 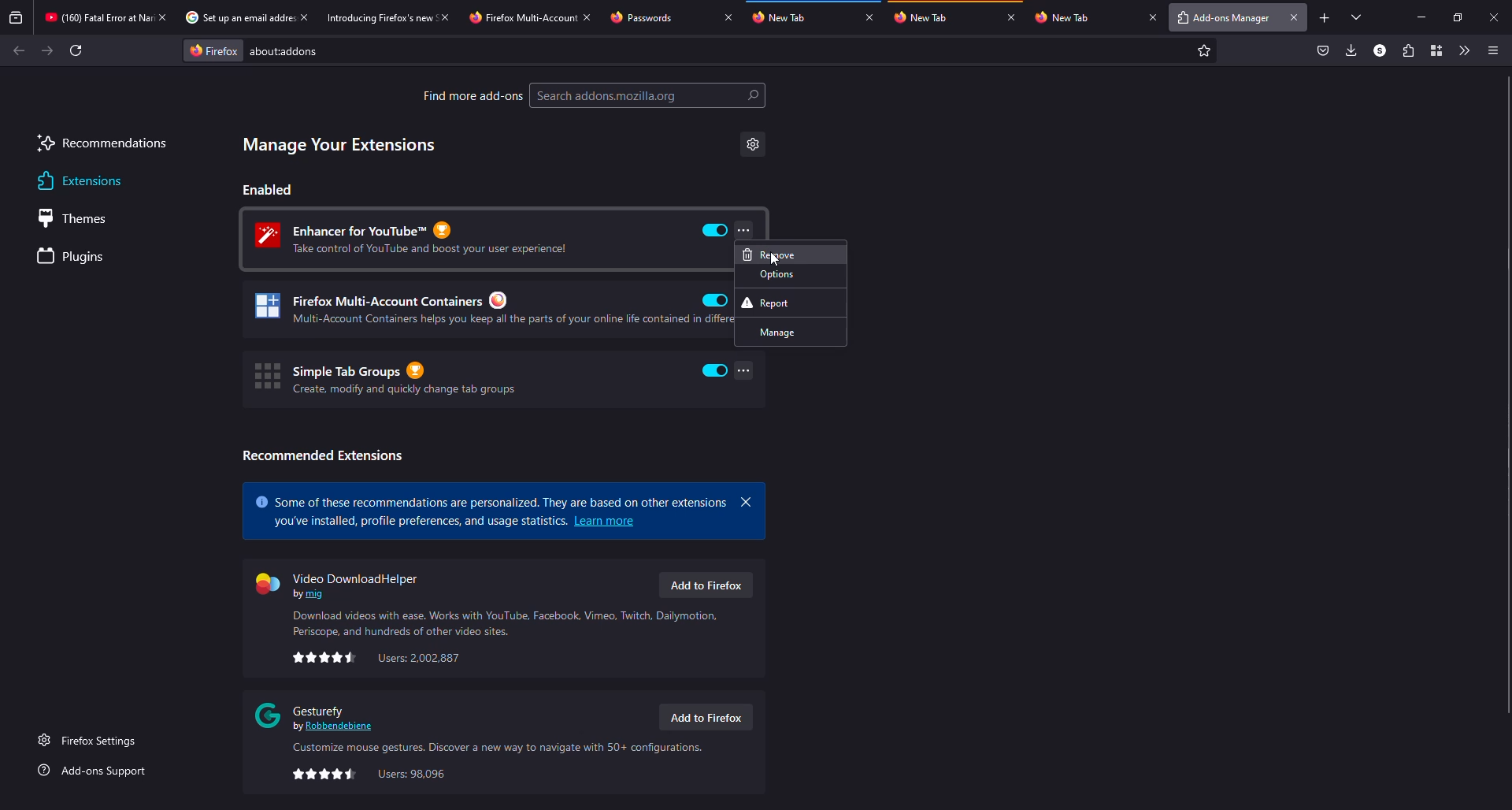 What do you see at coordinates (1153, 17) in the screenshot?
I see `close` at bounding box center [1153, 17].